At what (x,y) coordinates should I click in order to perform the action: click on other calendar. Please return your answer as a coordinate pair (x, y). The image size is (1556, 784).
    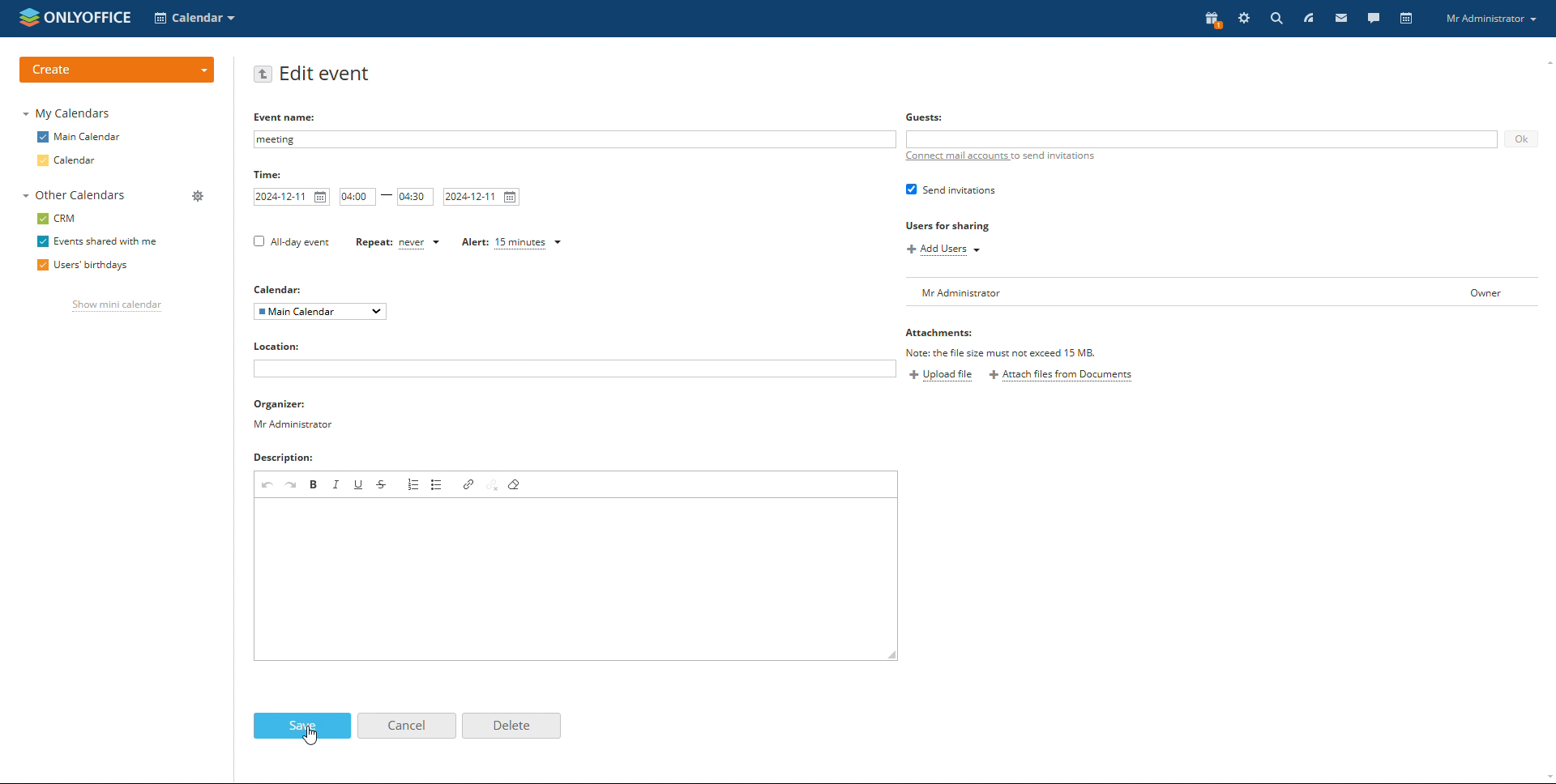
    Looking at the image, I should click on (73, 196).